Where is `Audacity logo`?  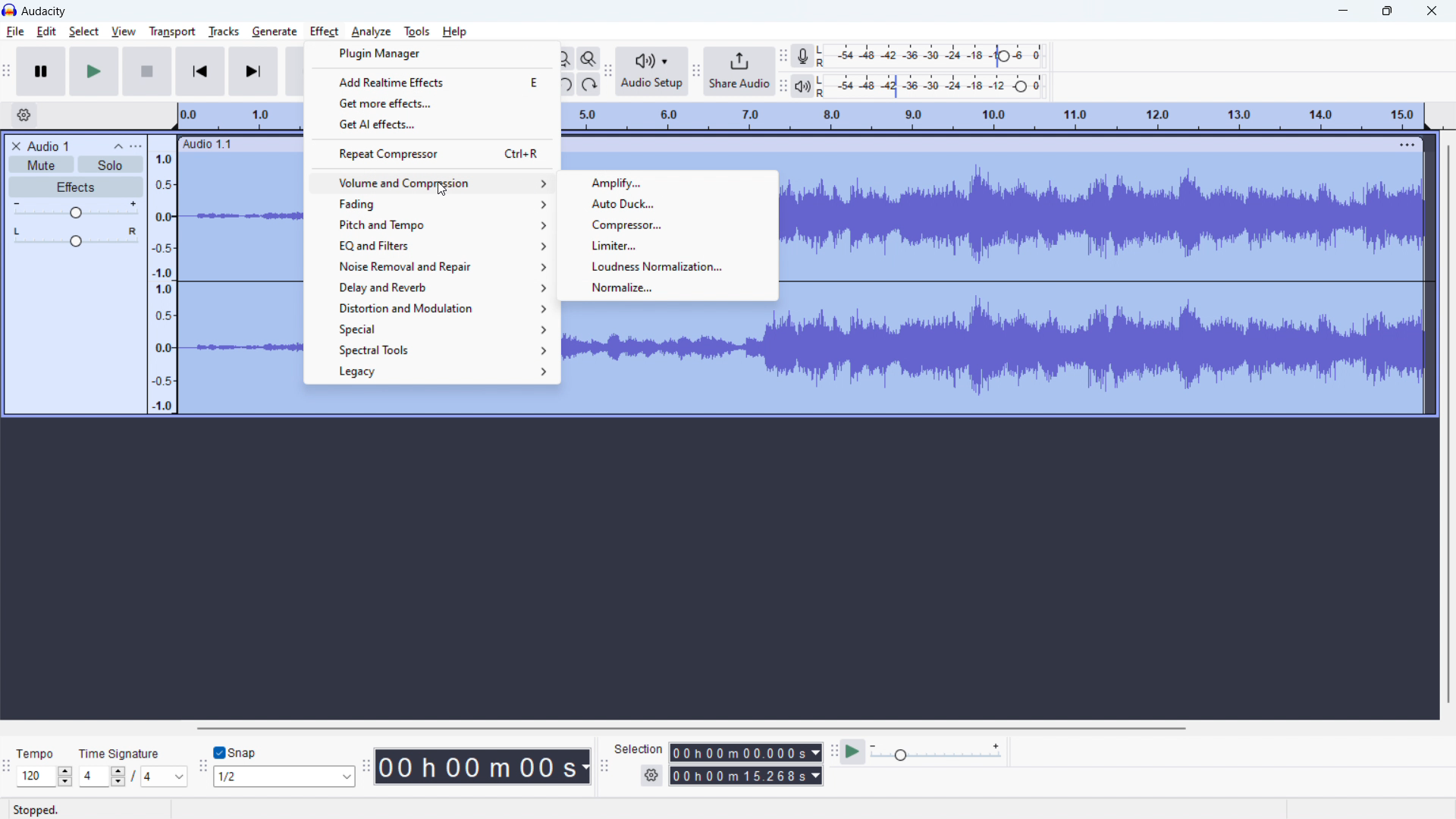 Audacity logo is located at coordinates (10, 10).